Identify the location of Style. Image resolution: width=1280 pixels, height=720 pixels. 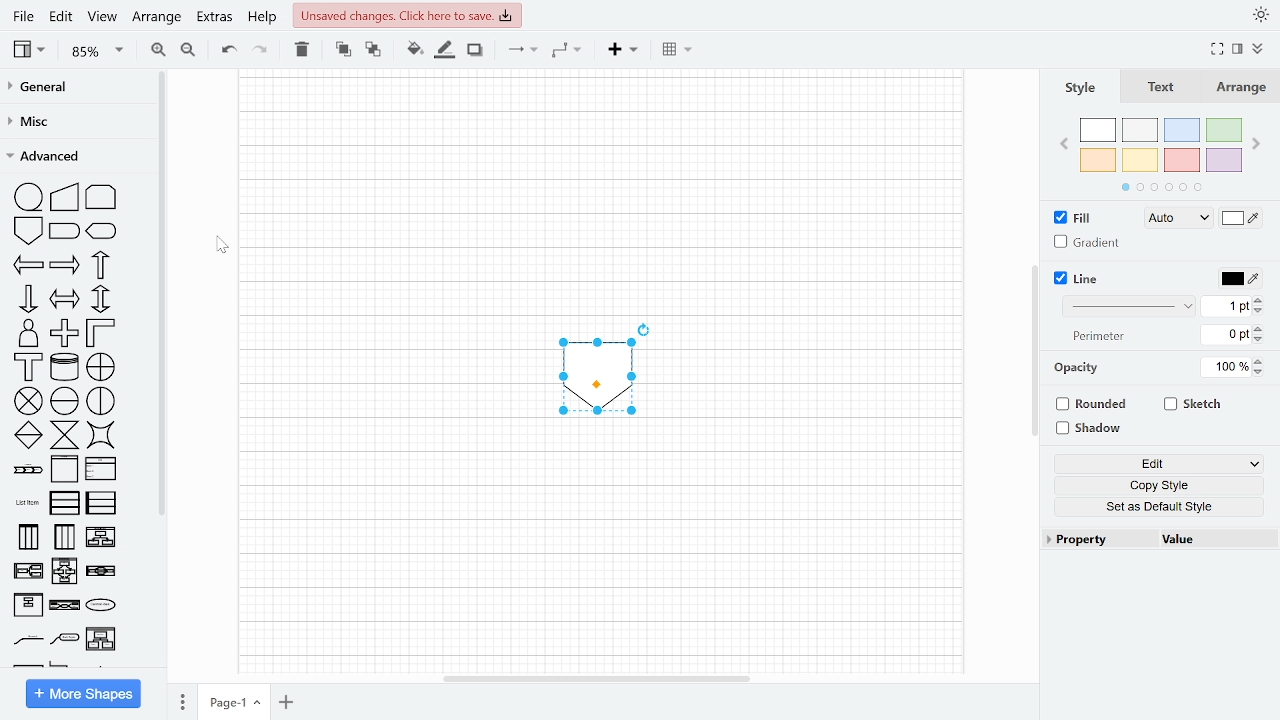
(1078, 89).